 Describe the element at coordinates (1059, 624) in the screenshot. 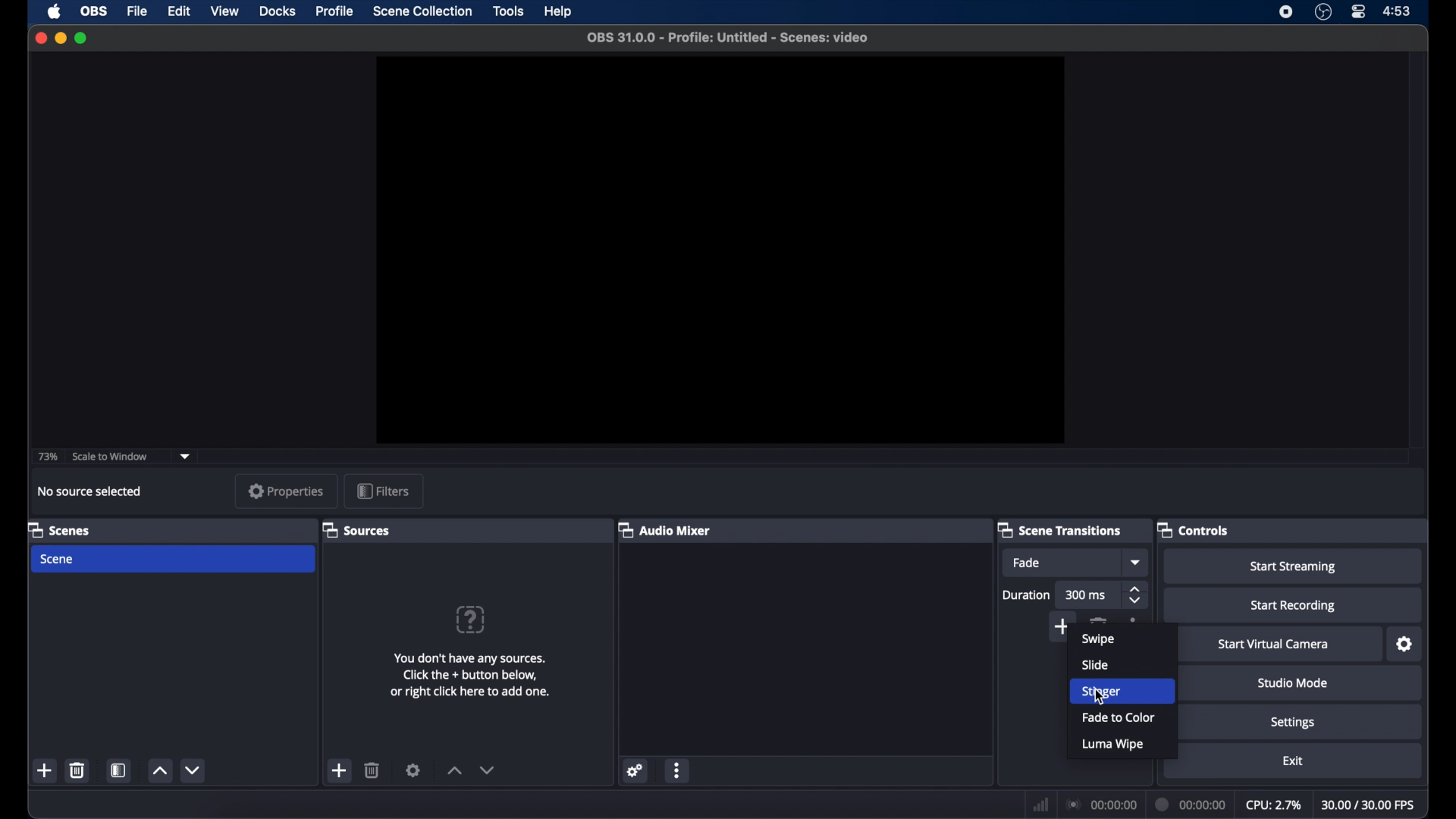

I see `add` at that location.